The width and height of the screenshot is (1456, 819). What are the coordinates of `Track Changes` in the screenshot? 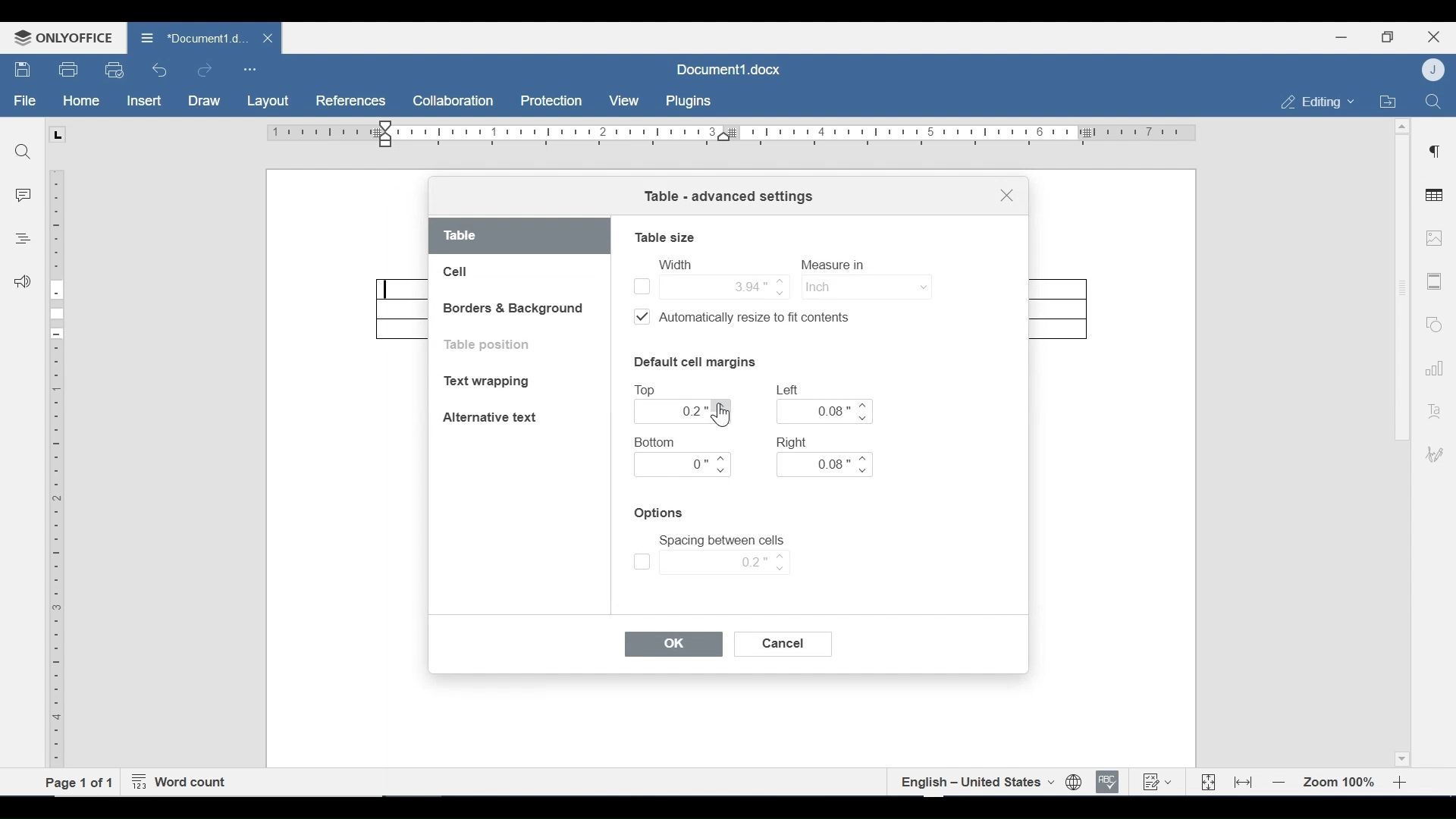 It's located at (1156, 781).